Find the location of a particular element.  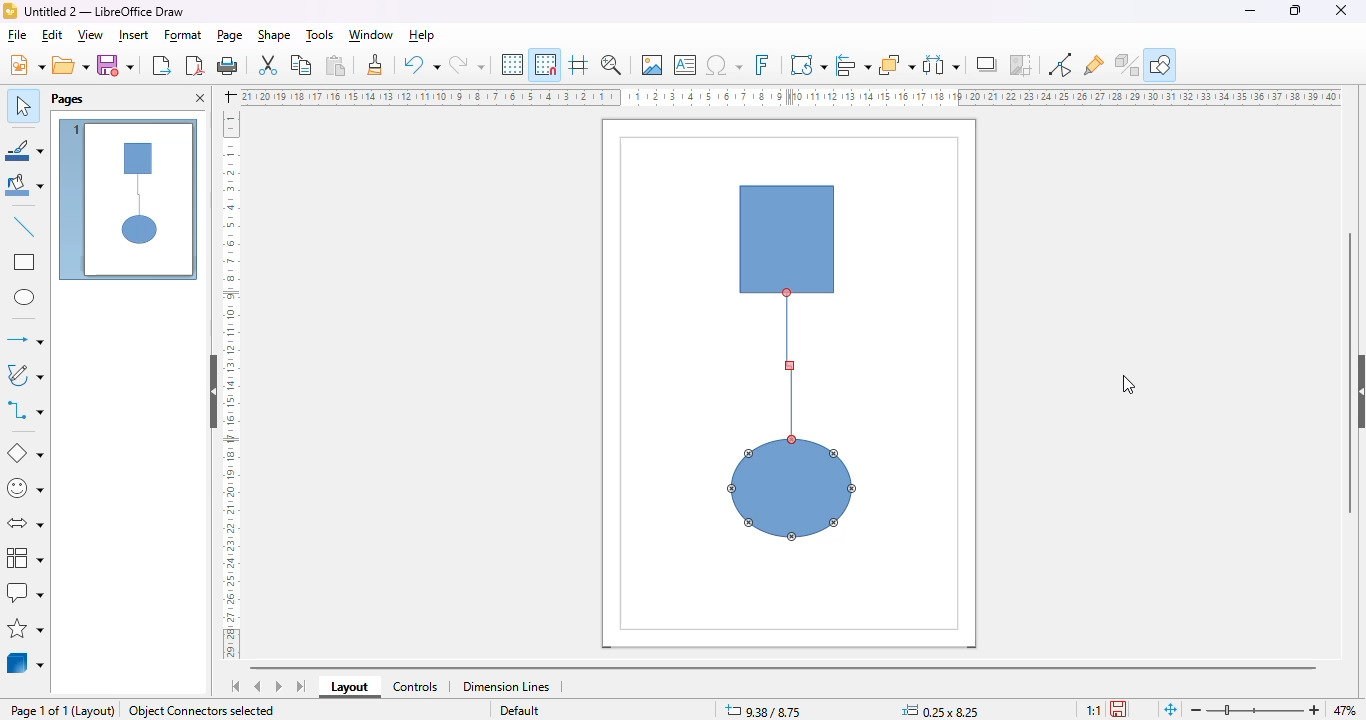

transformations is located at coordinates (808, 65).